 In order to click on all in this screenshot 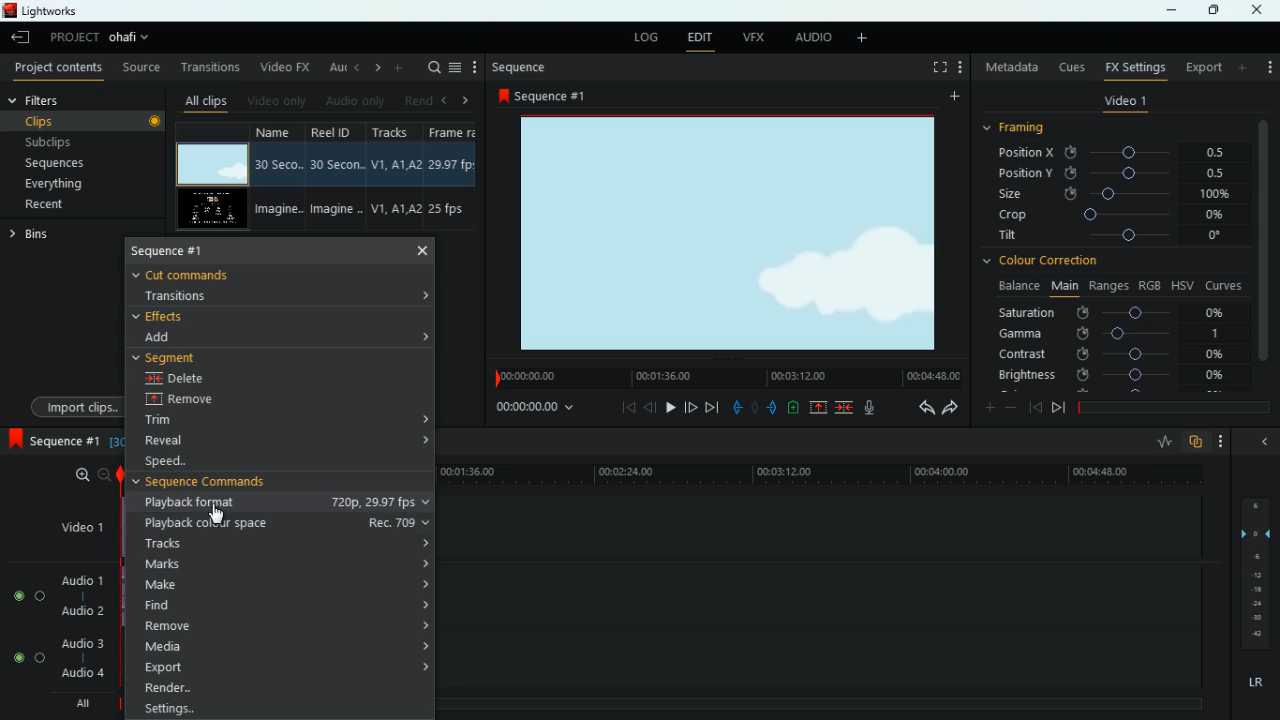, I will do `click(78, 705)`.